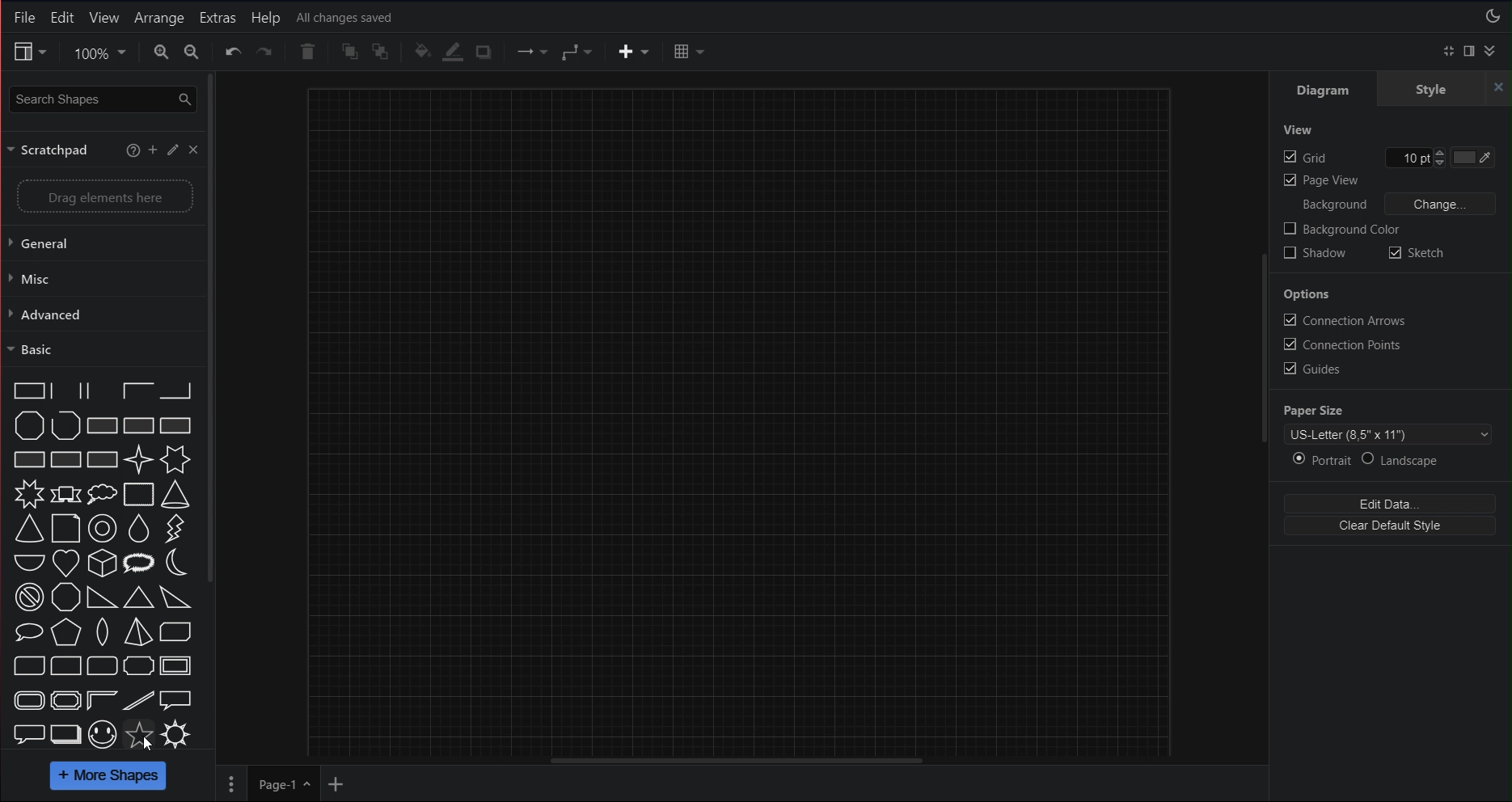  Describe the element at coordinates (24, 18) in the screenshot. I see `File` at that location.